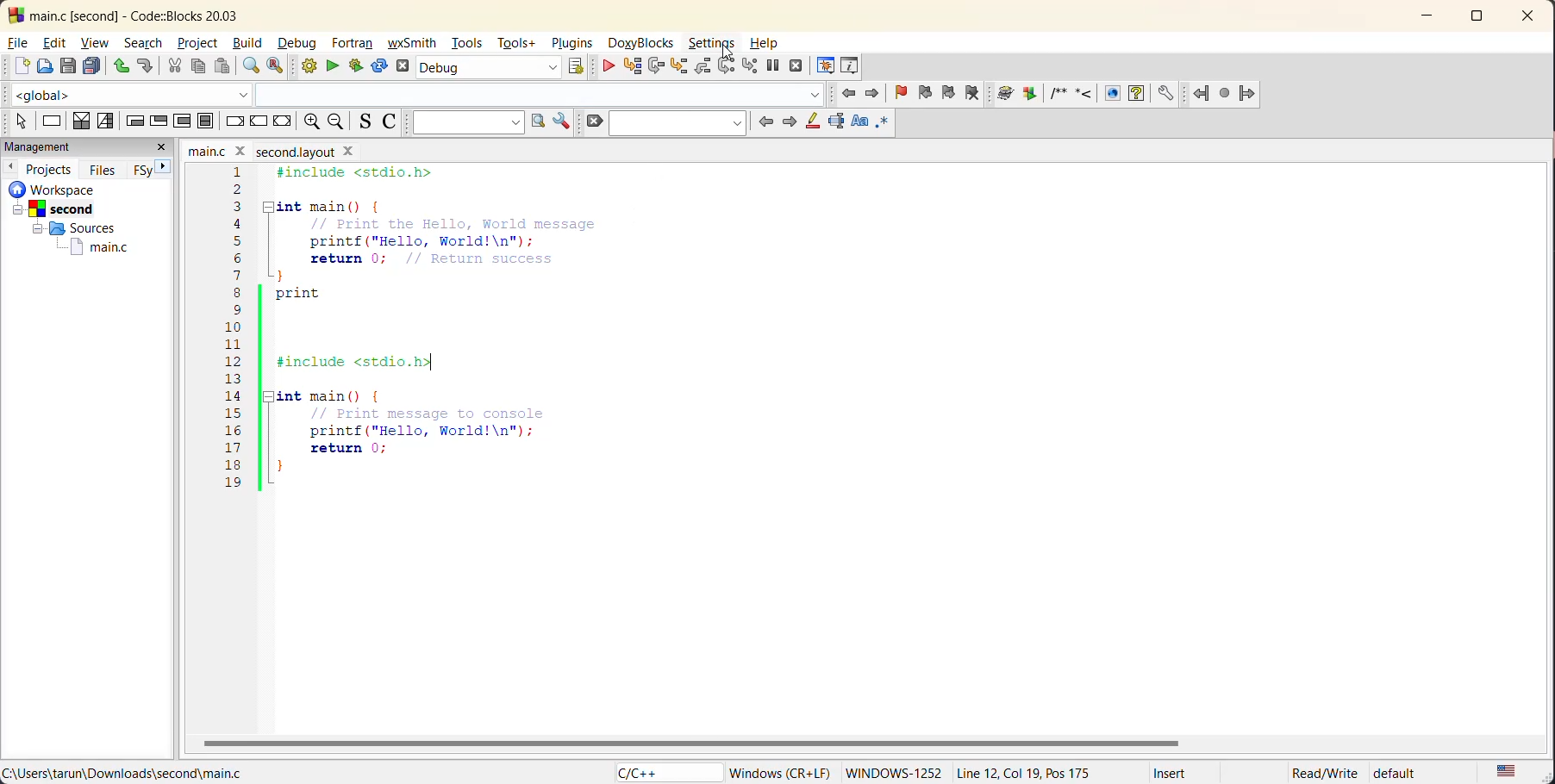 This screenshot has height=784, width=1555. Describe the element at coordinates (311, 122) in the screenshot. I see `zoom in` at that location.